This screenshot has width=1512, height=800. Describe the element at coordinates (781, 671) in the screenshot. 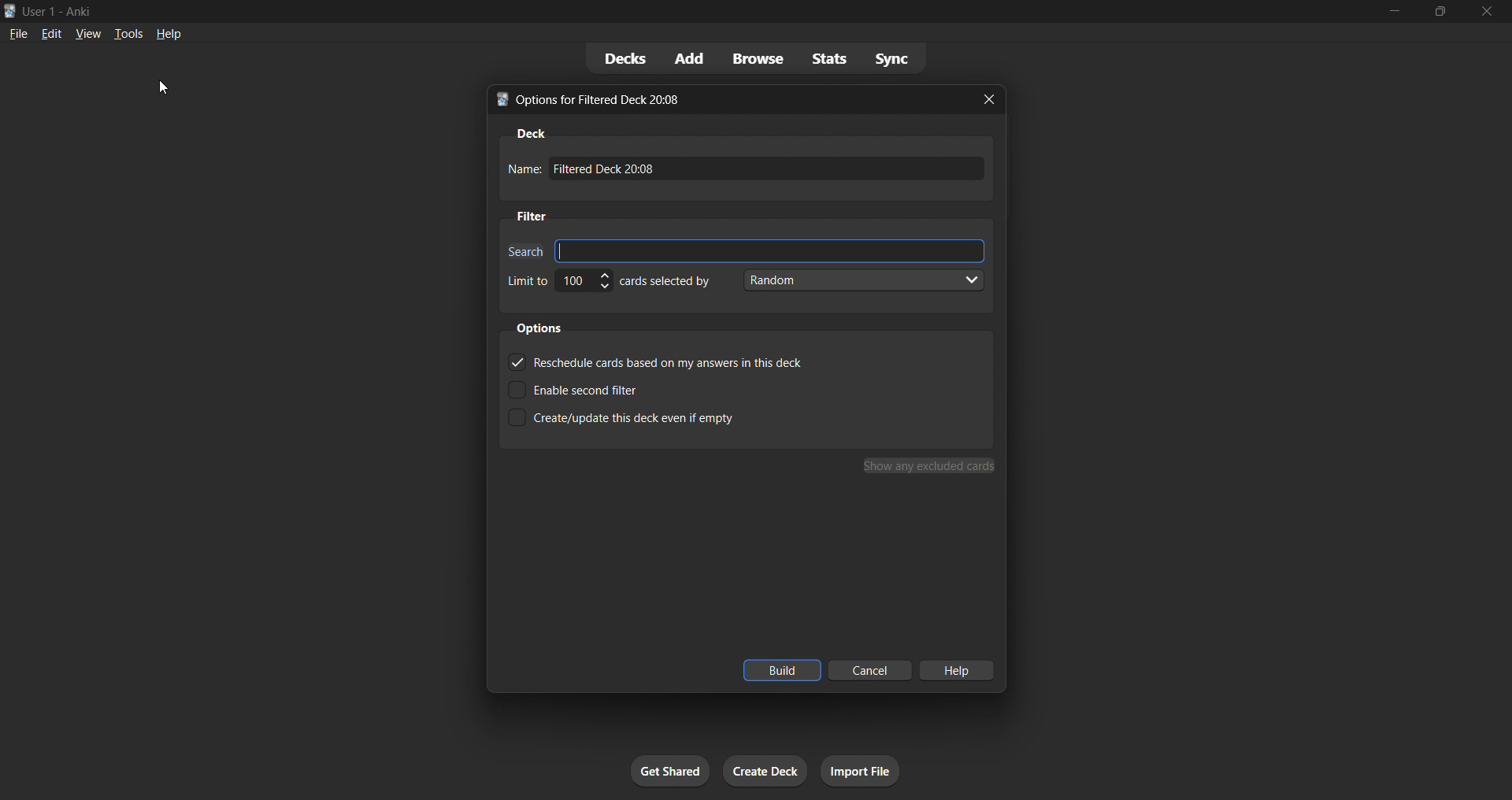

I see `build` at that location.